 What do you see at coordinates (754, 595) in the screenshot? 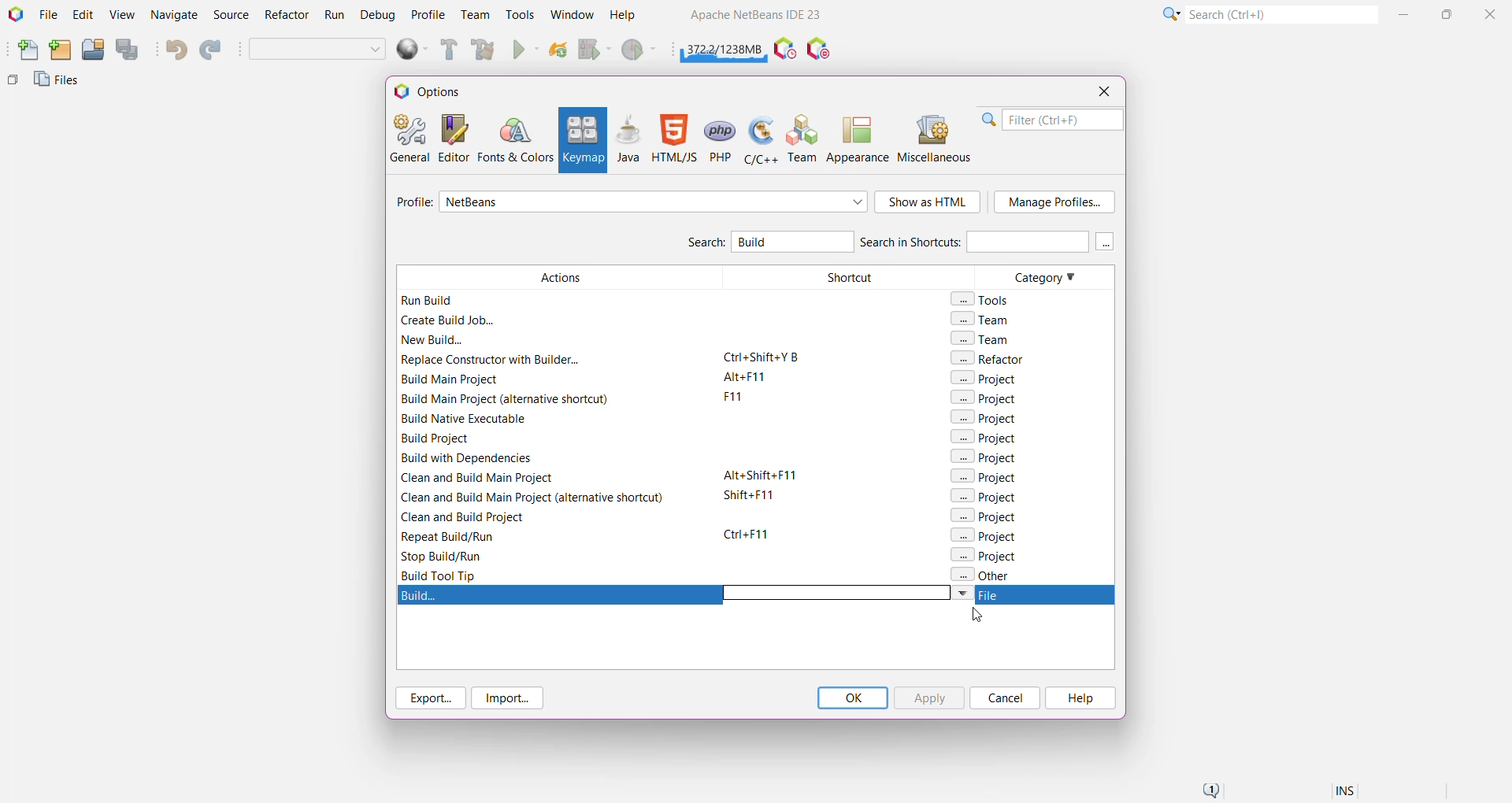
I see `Build Action highlighted` at bounding box center [754, 595].